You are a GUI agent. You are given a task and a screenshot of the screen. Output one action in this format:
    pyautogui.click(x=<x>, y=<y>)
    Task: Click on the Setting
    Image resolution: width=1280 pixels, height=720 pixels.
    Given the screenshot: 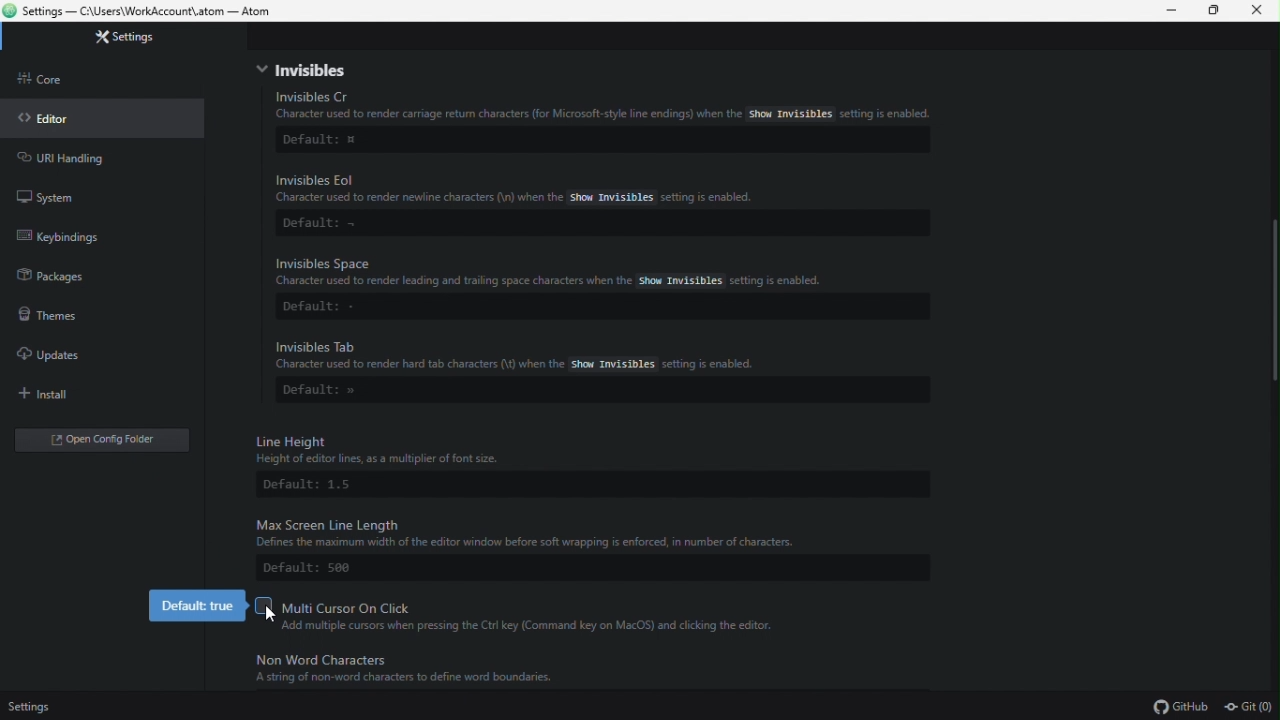 What is the action you would take?
    pyautogui.click(x=45, y=706)
    